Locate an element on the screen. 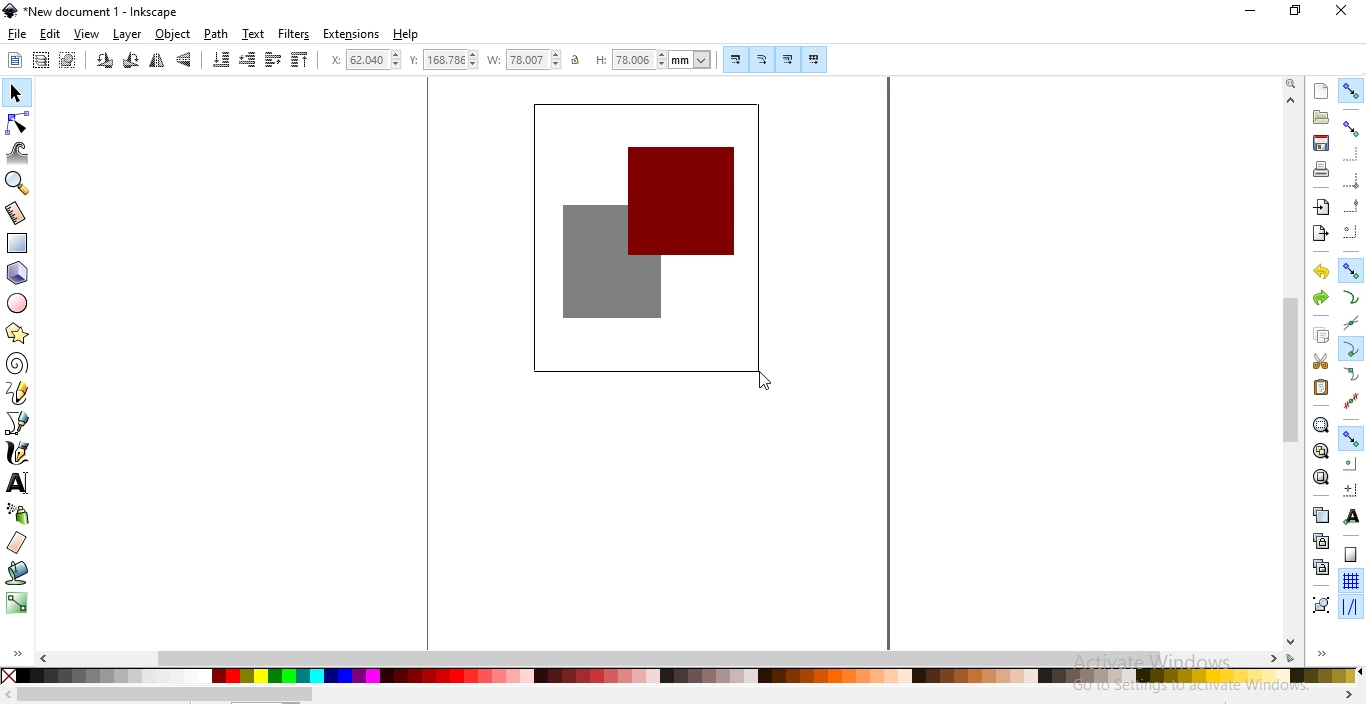 The width and height of the screenshot is (1366, 704). measurement tool is located at coordinates (17, 213).